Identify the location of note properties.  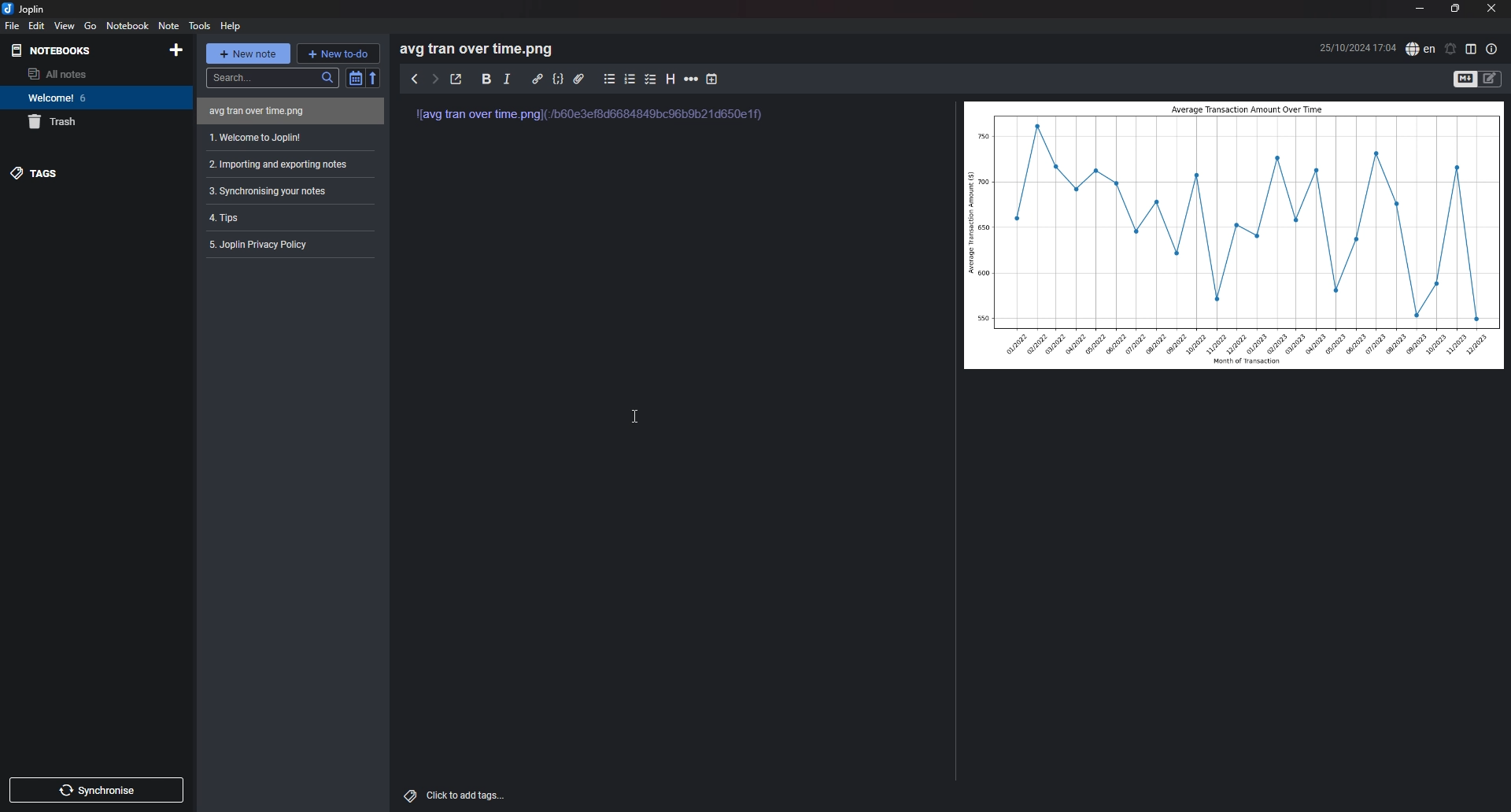
(1491, 50).